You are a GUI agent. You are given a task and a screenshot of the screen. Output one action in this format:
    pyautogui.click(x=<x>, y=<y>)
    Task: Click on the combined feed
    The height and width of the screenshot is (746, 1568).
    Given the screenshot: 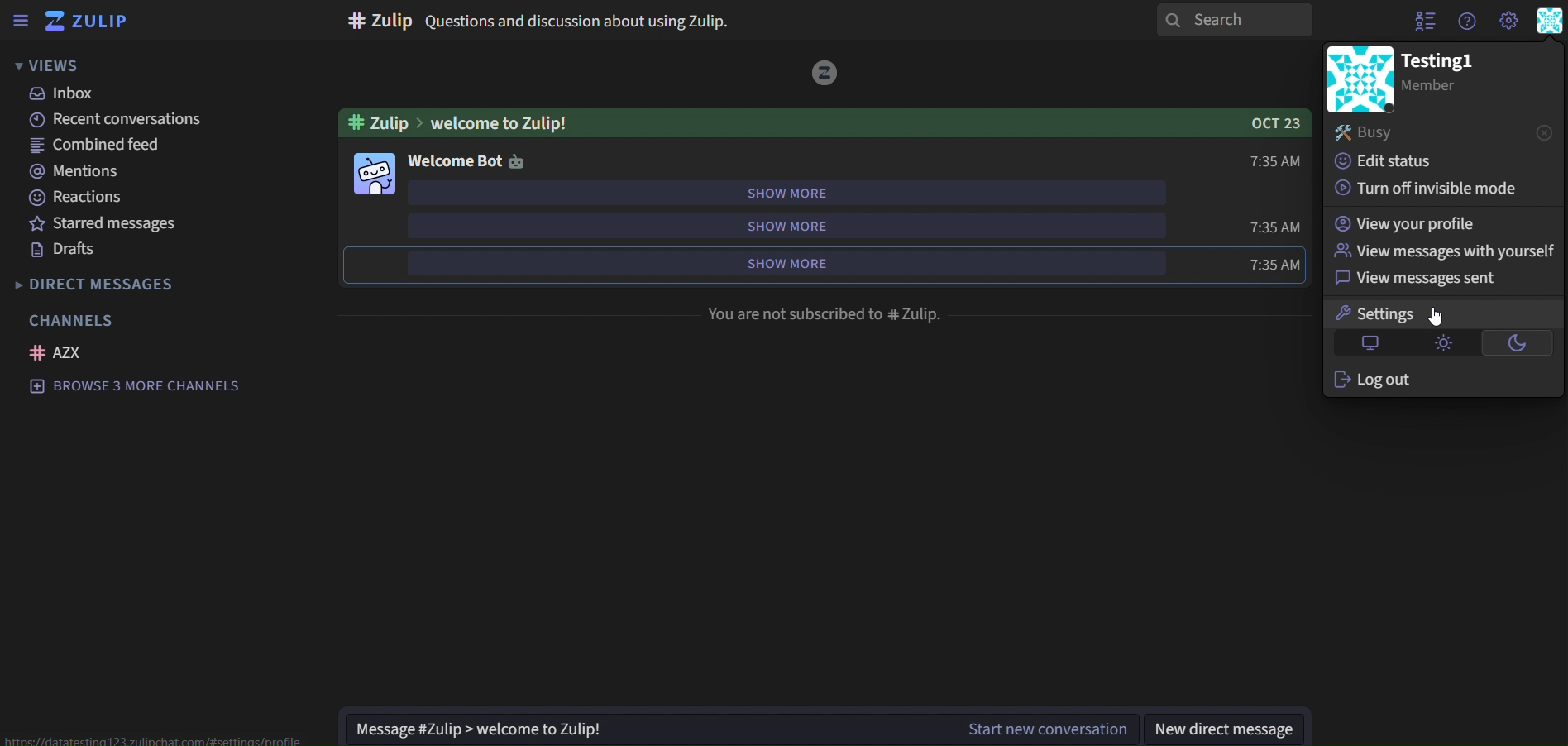 What is the action you would take?
    pyautogui.click(x=97, y=146)
    